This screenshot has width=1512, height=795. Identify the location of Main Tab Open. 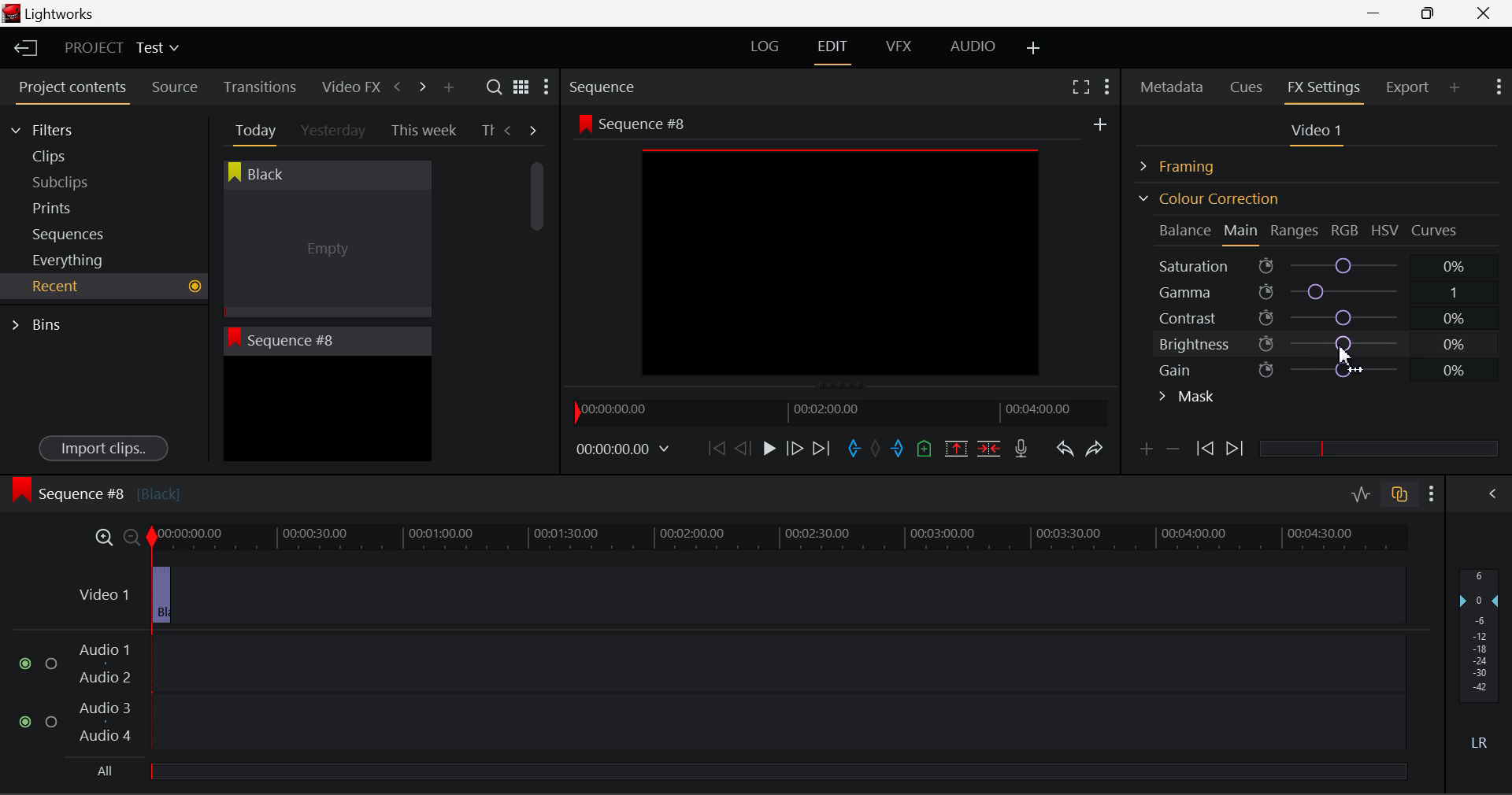
(1242, 232).